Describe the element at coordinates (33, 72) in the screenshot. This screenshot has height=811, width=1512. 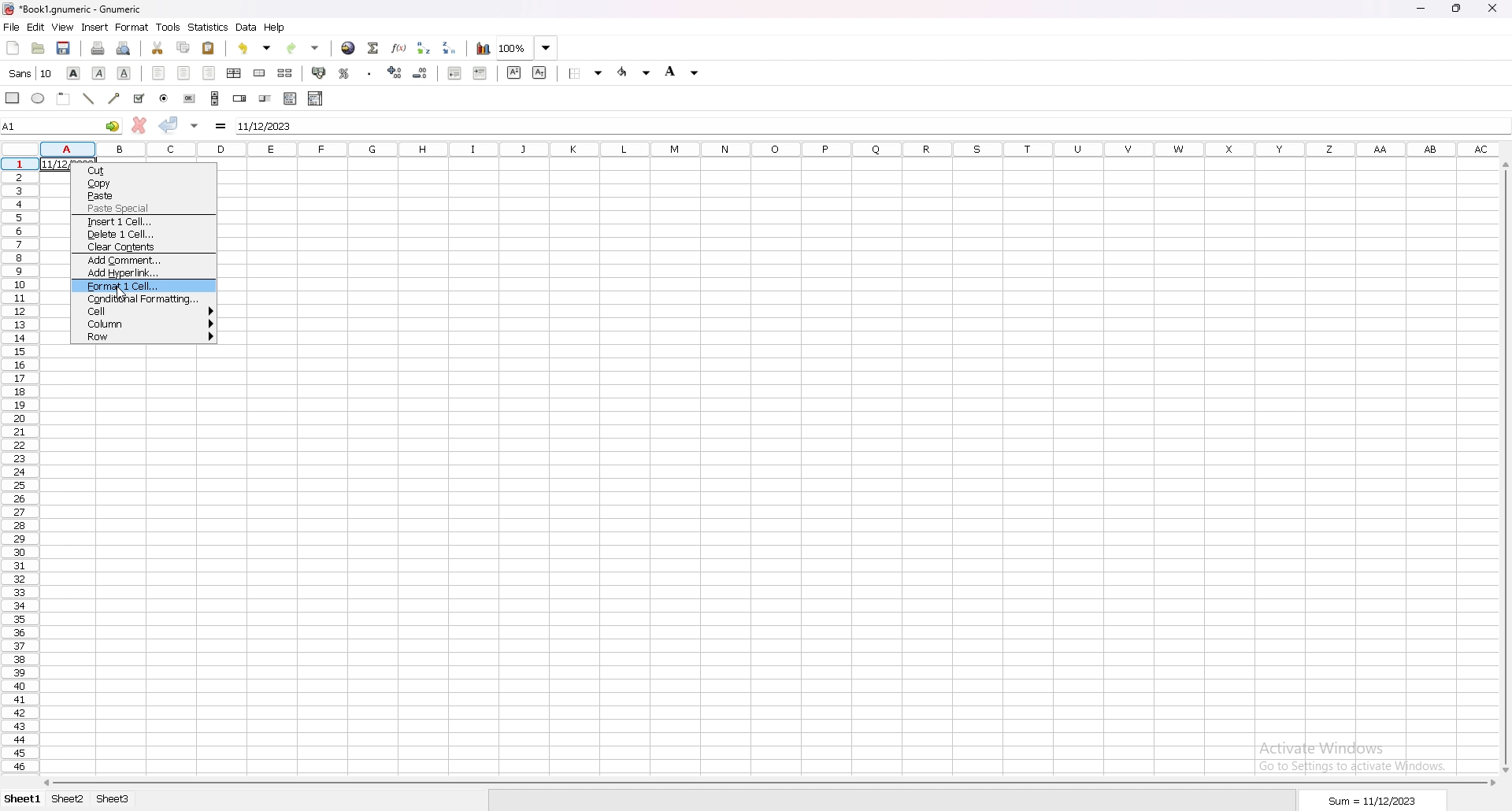
I see `font` at that location.